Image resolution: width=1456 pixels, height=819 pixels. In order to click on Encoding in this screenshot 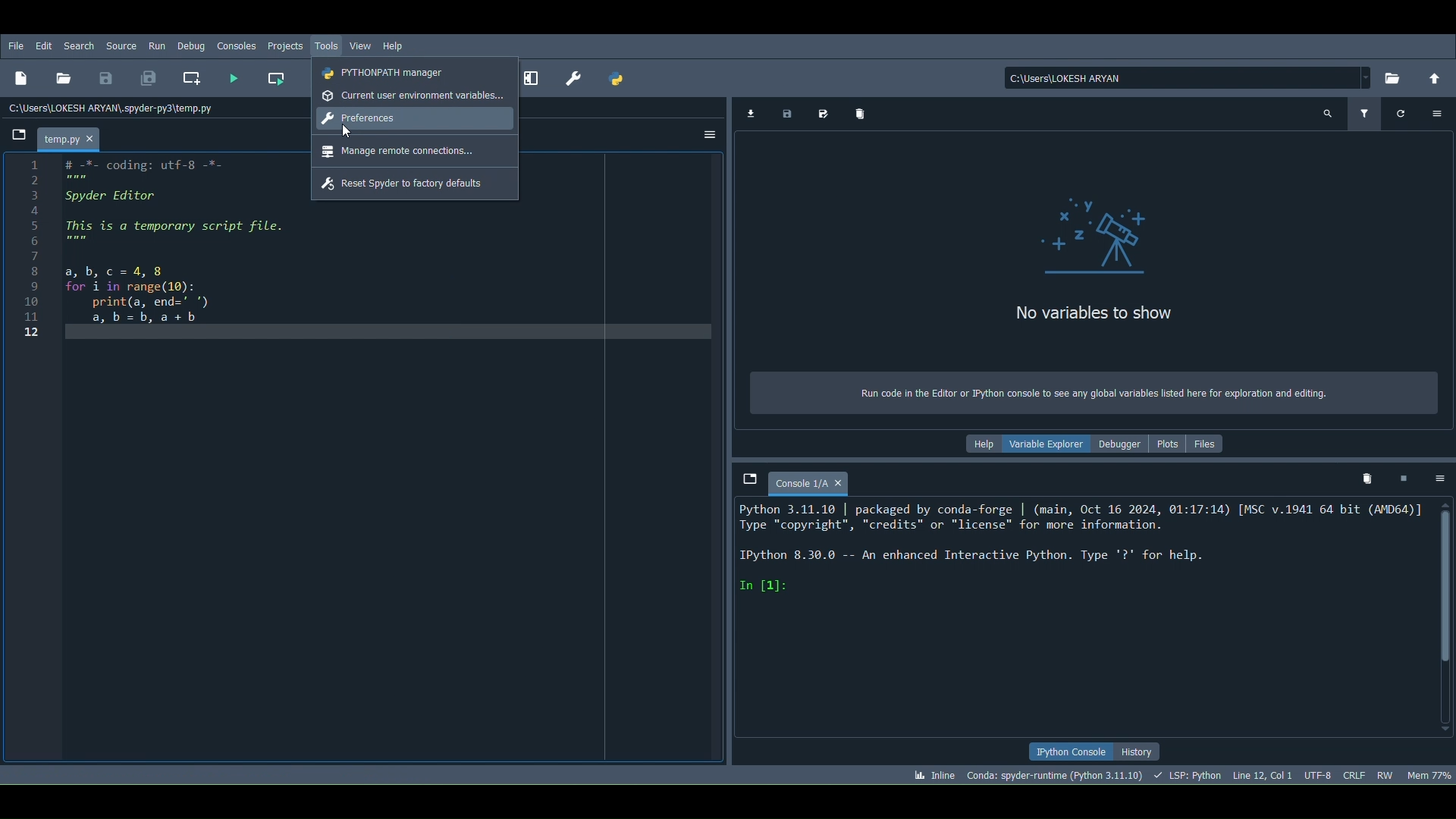, I will do `click(1316, 774)`.